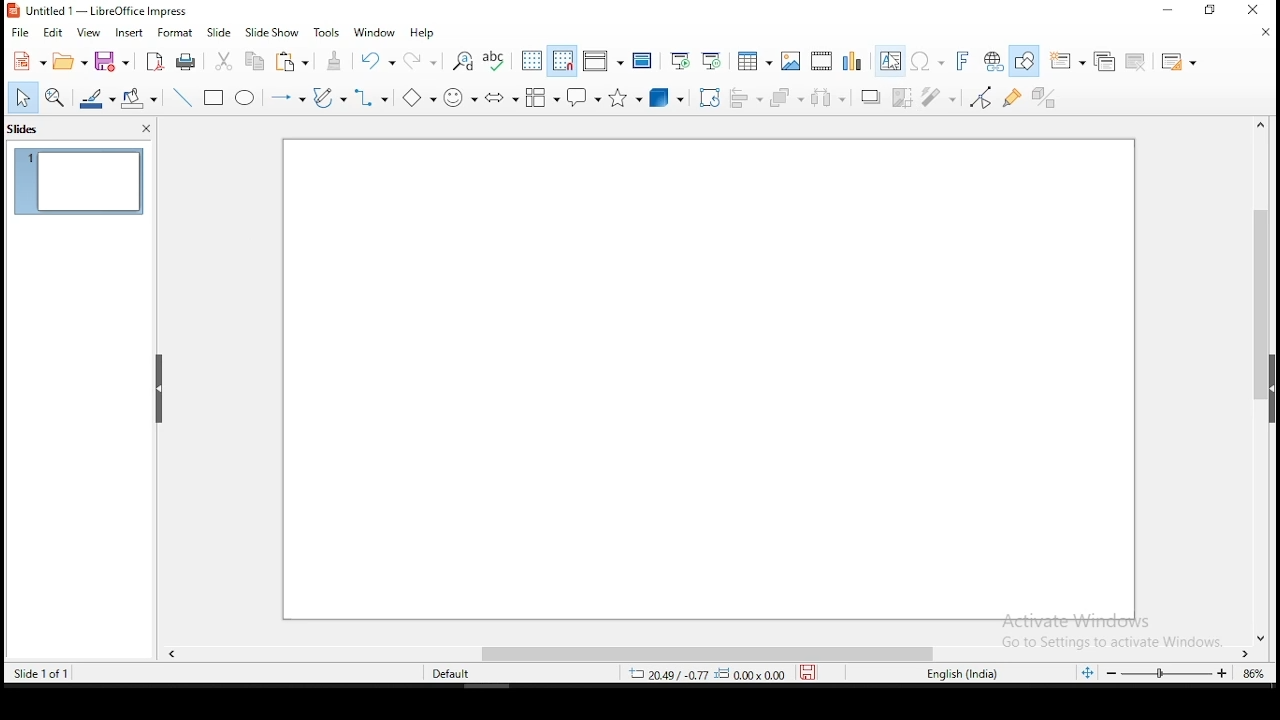  I want to click on scroll bar, so click(714, 654).